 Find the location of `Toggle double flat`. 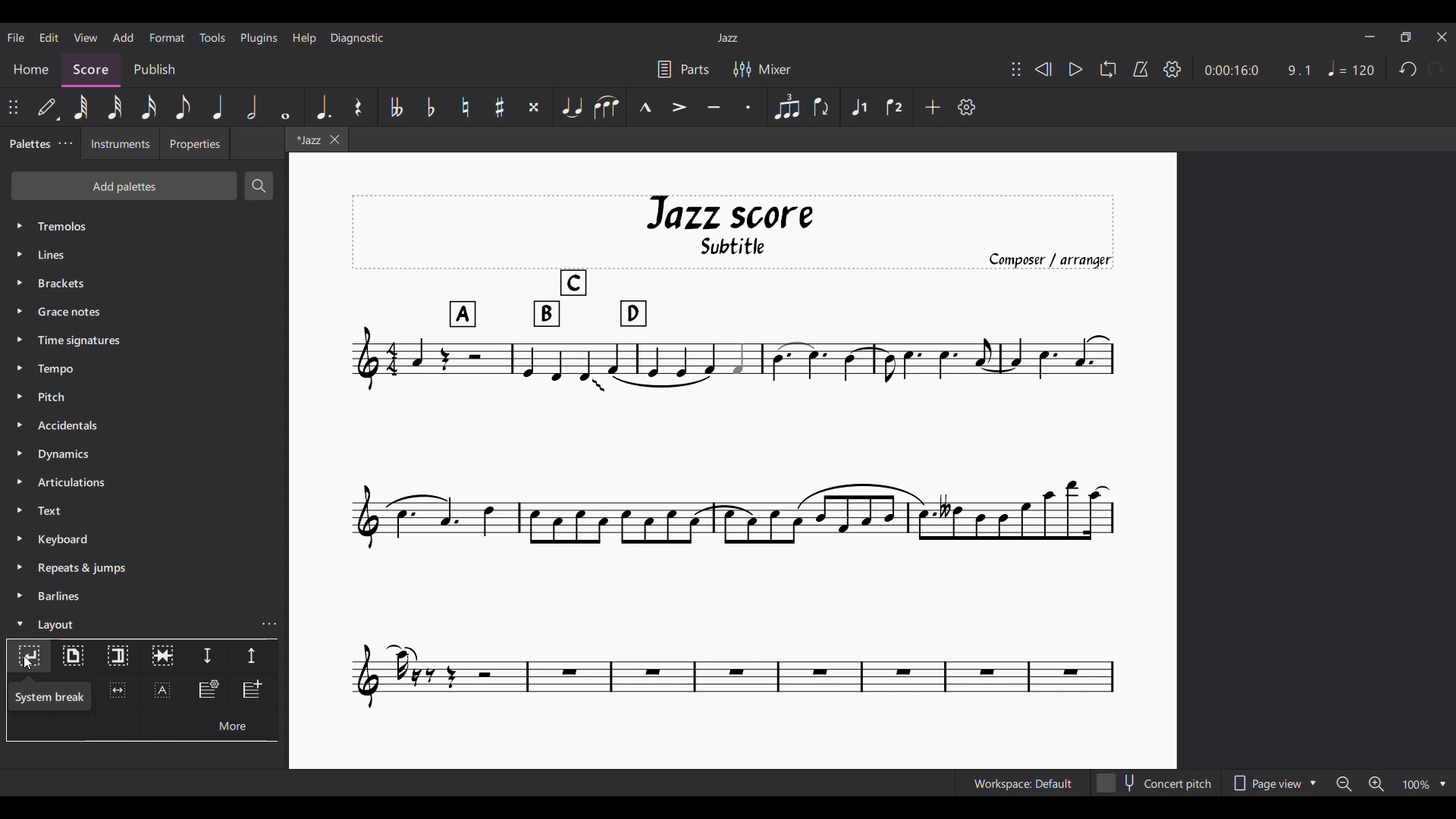

Toggle double flat is located at coordinates (395, 107).